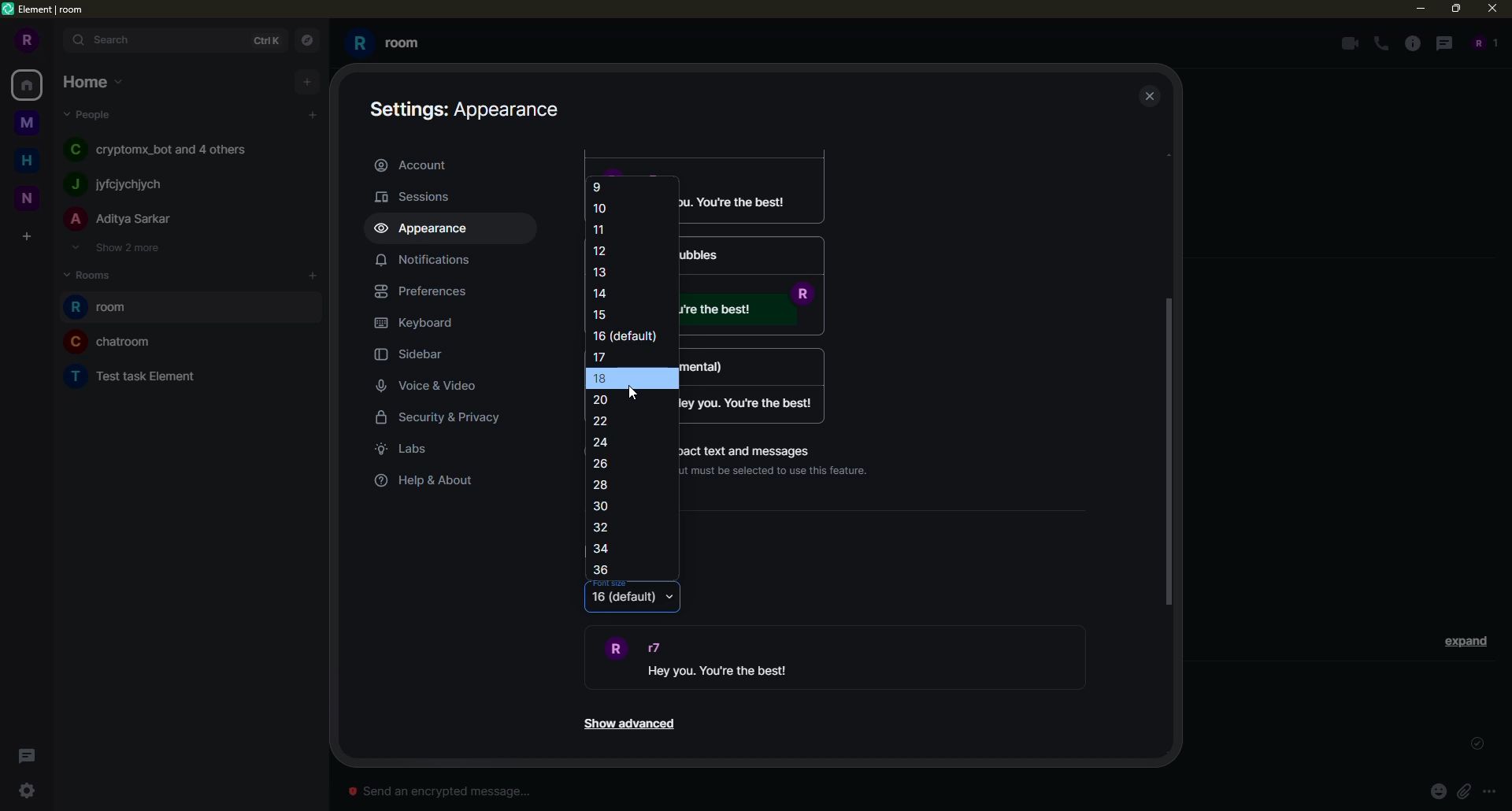  What do you see at coordinates (306, 41) in the screenshot?
I see `navigator` at bounding box center [306, 41].